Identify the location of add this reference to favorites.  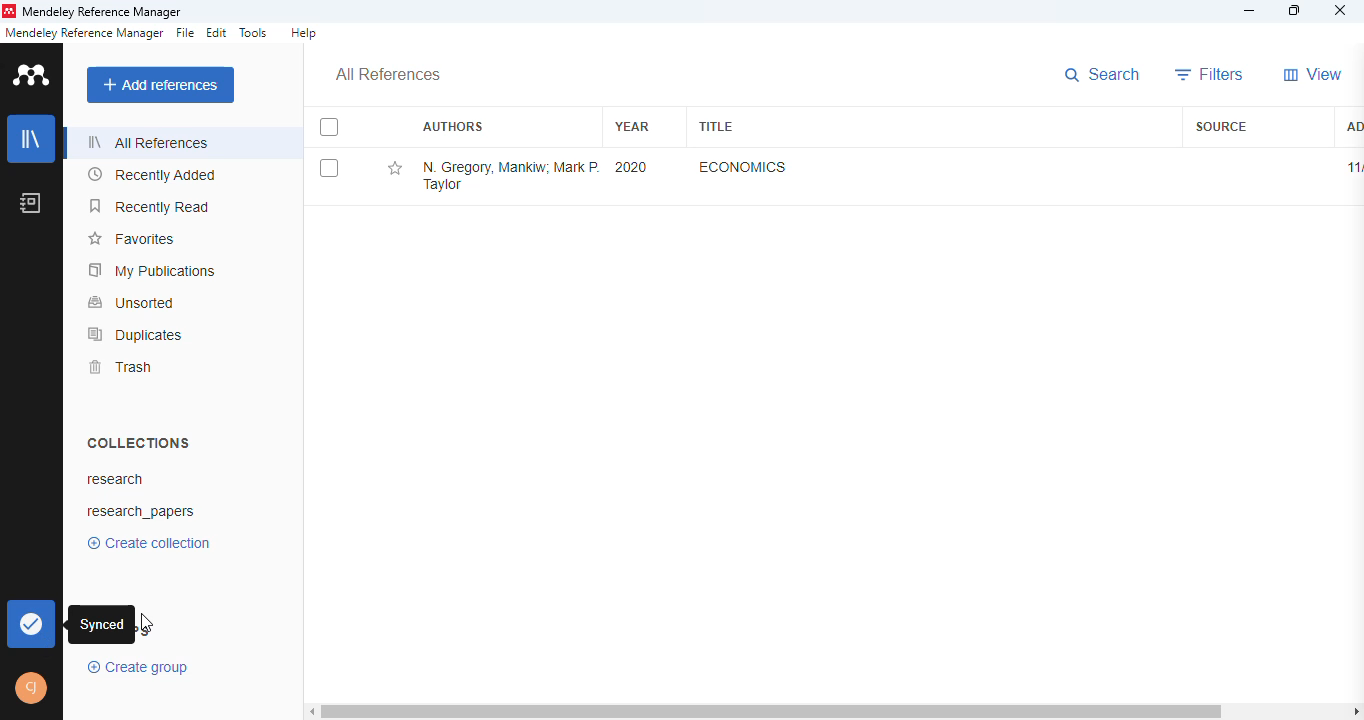
(396, 169).